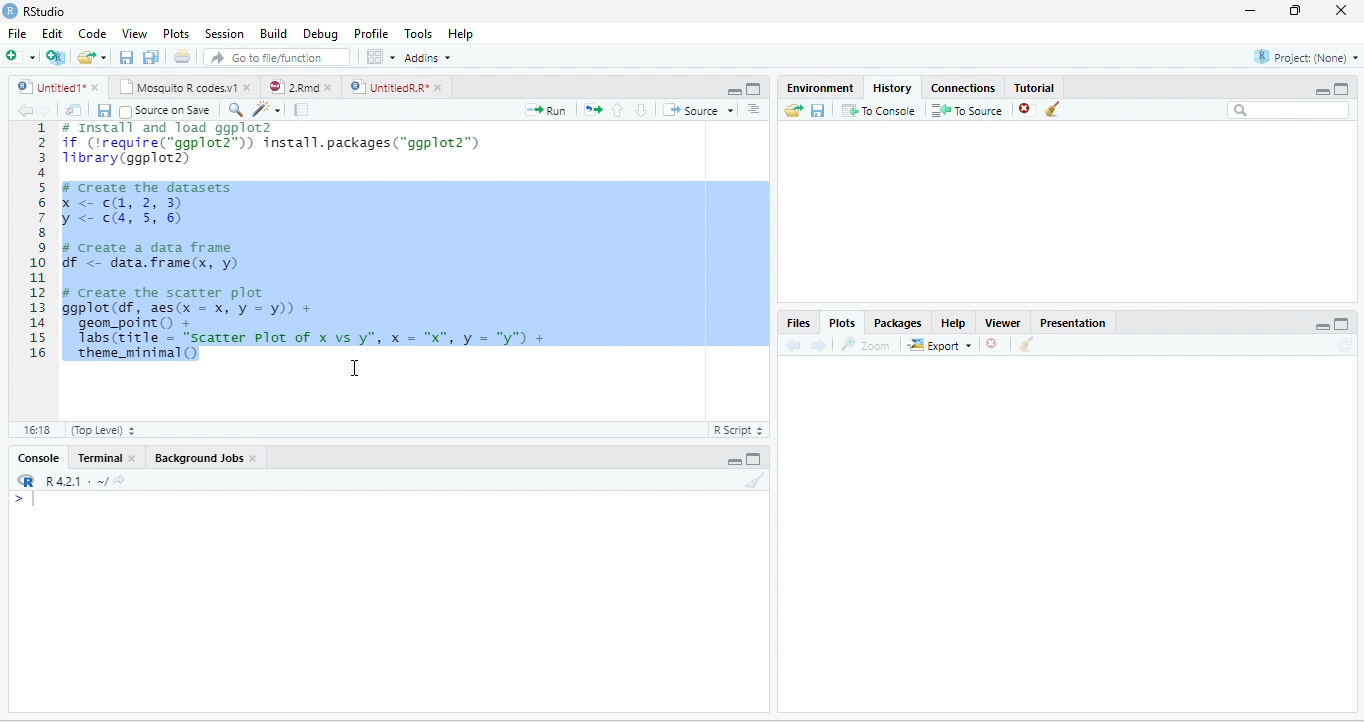 Image resolution: width=1364 pixels, height=722 pixels. What do you see at coordinates (1322, 326) in the screenshot?
I see `Minimize` at bounding box center [1322, 326].